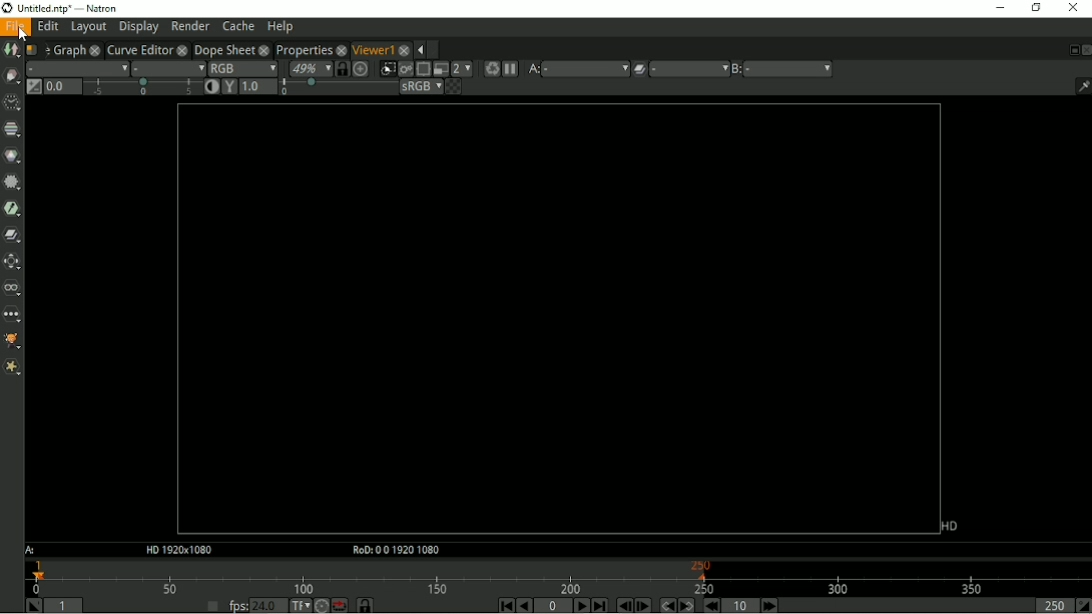 The width and height of the screenshot is (1092, 614). What do you see at coordinates (65, 607) in the screenshot?
I see `Playback in point` at bounding box center [65, 607].